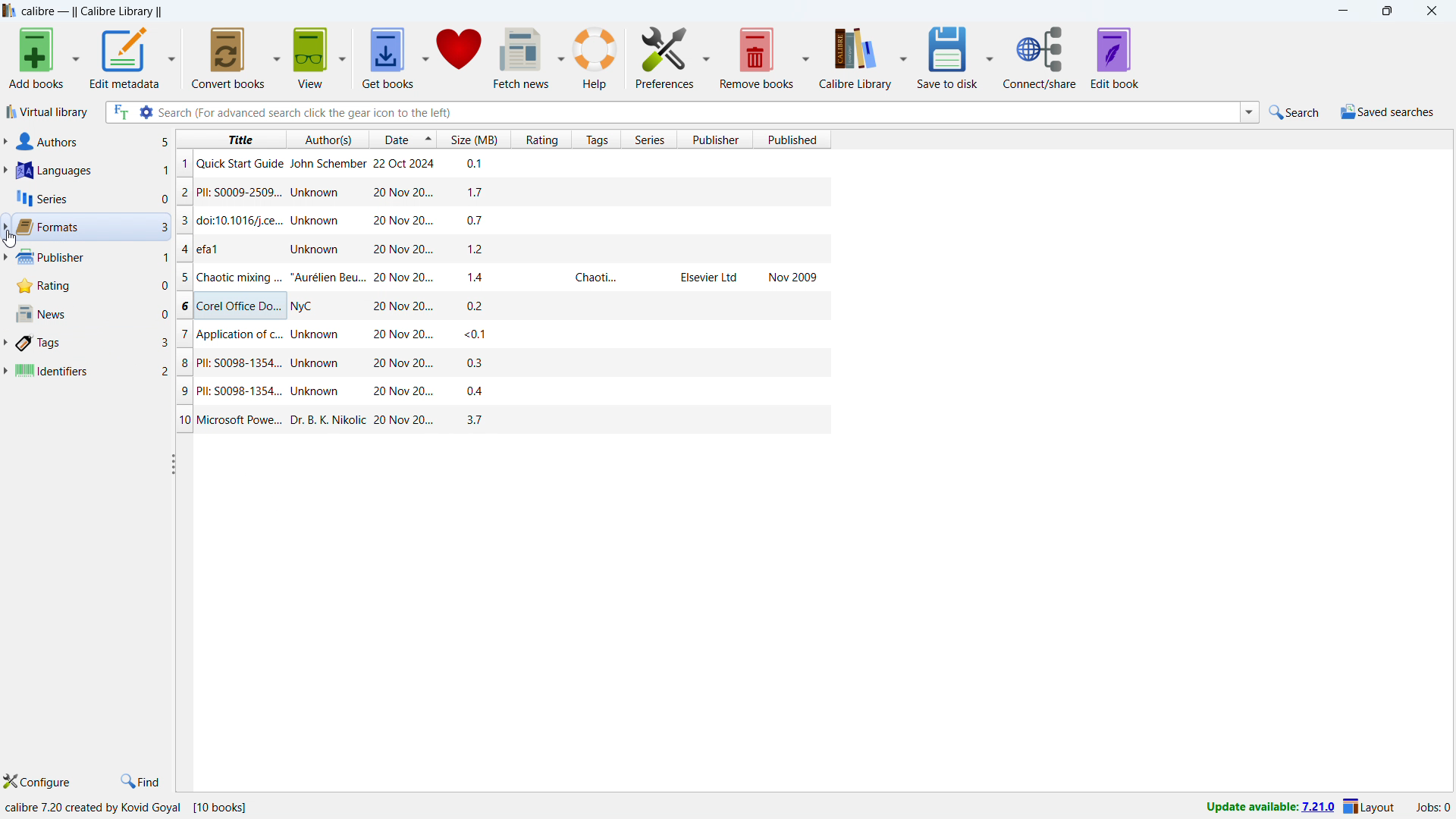  What do you see at coordinates (522, 57) in the screenshot?
I see `fetch news` at bounding box center [522, 57].